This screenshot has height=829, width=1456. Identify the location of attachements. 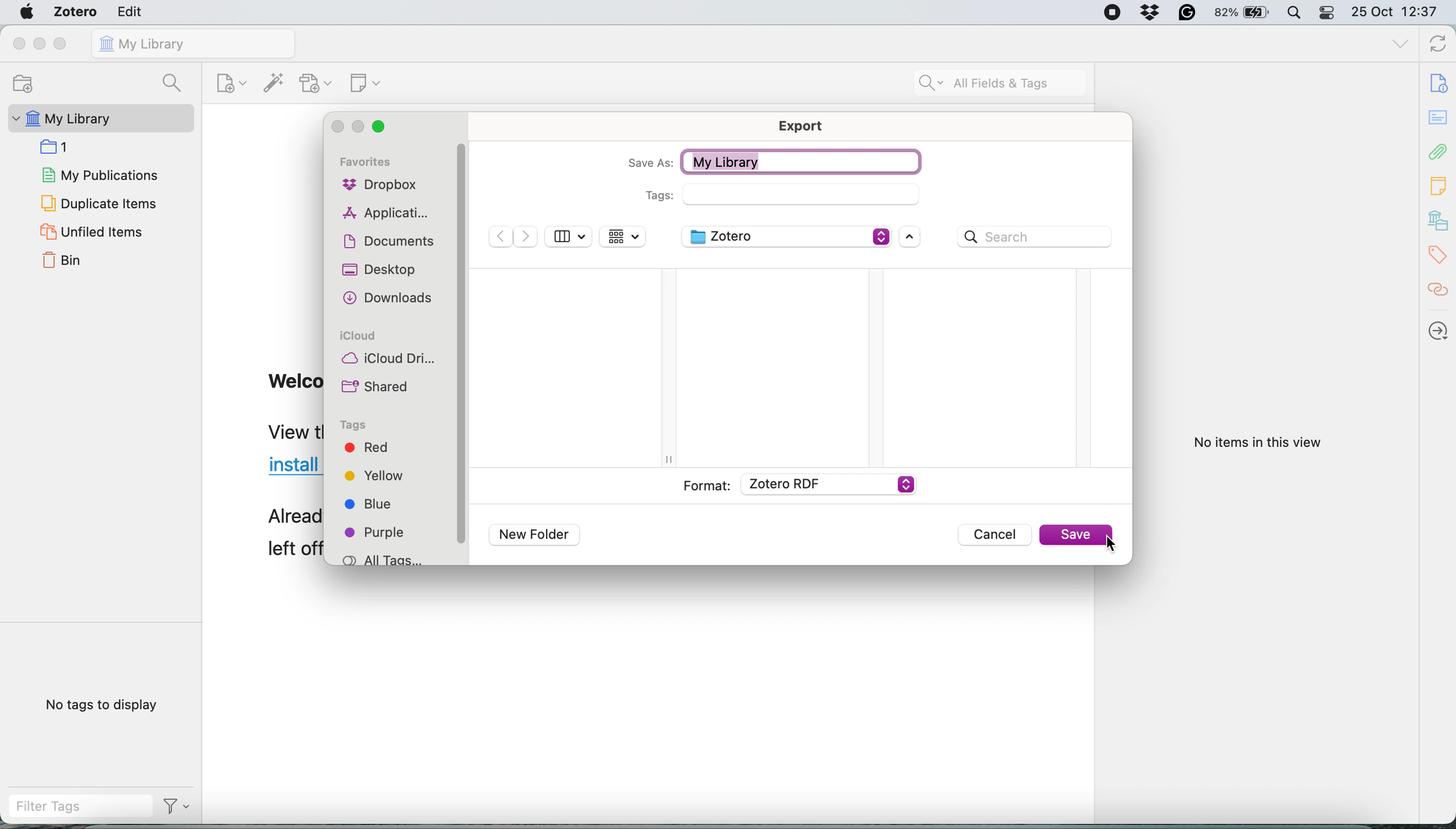
(1439, 154).